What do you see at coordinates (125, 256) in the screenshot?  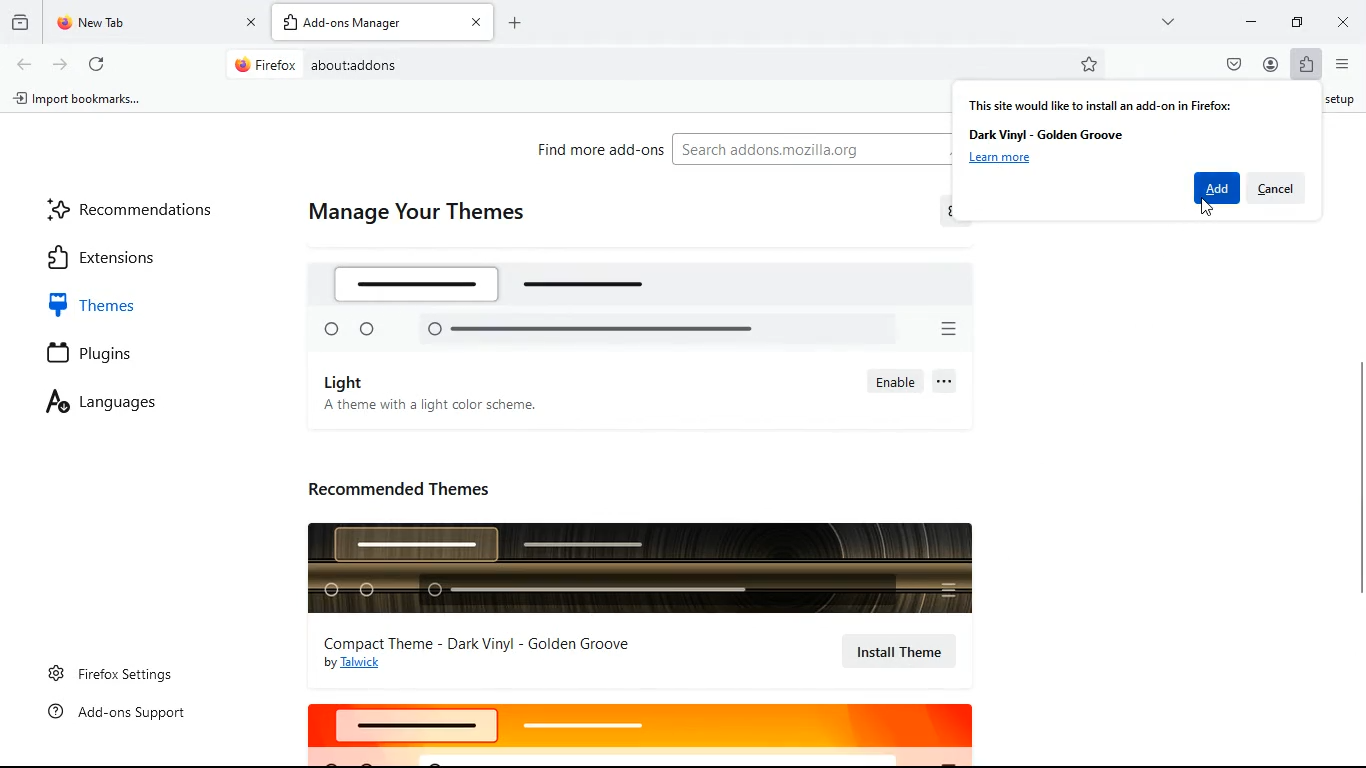 I see `extensions` at bounding box center [125, 256].